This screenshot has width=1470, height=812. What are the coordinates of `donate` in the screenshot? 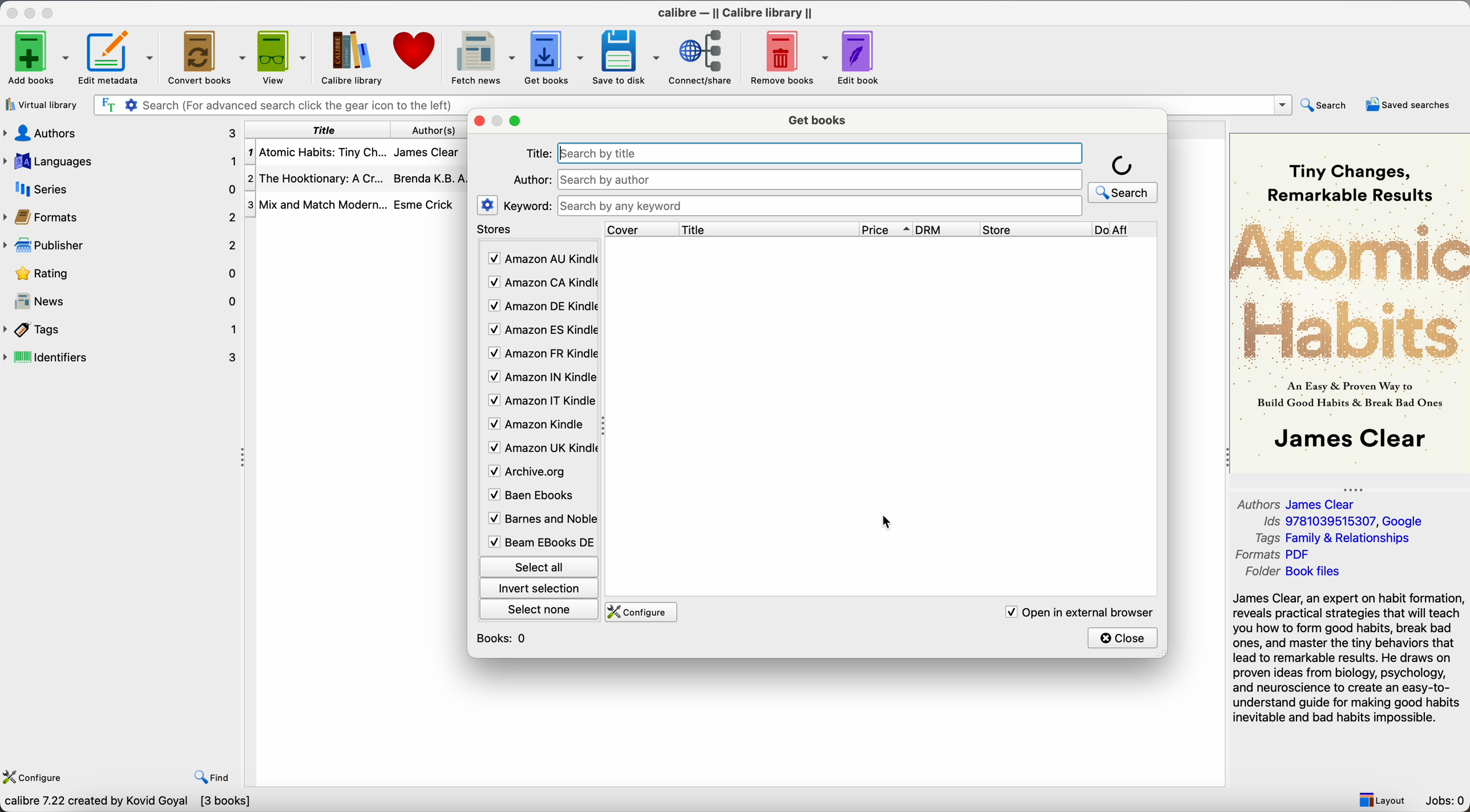 It's located at (413, 53).